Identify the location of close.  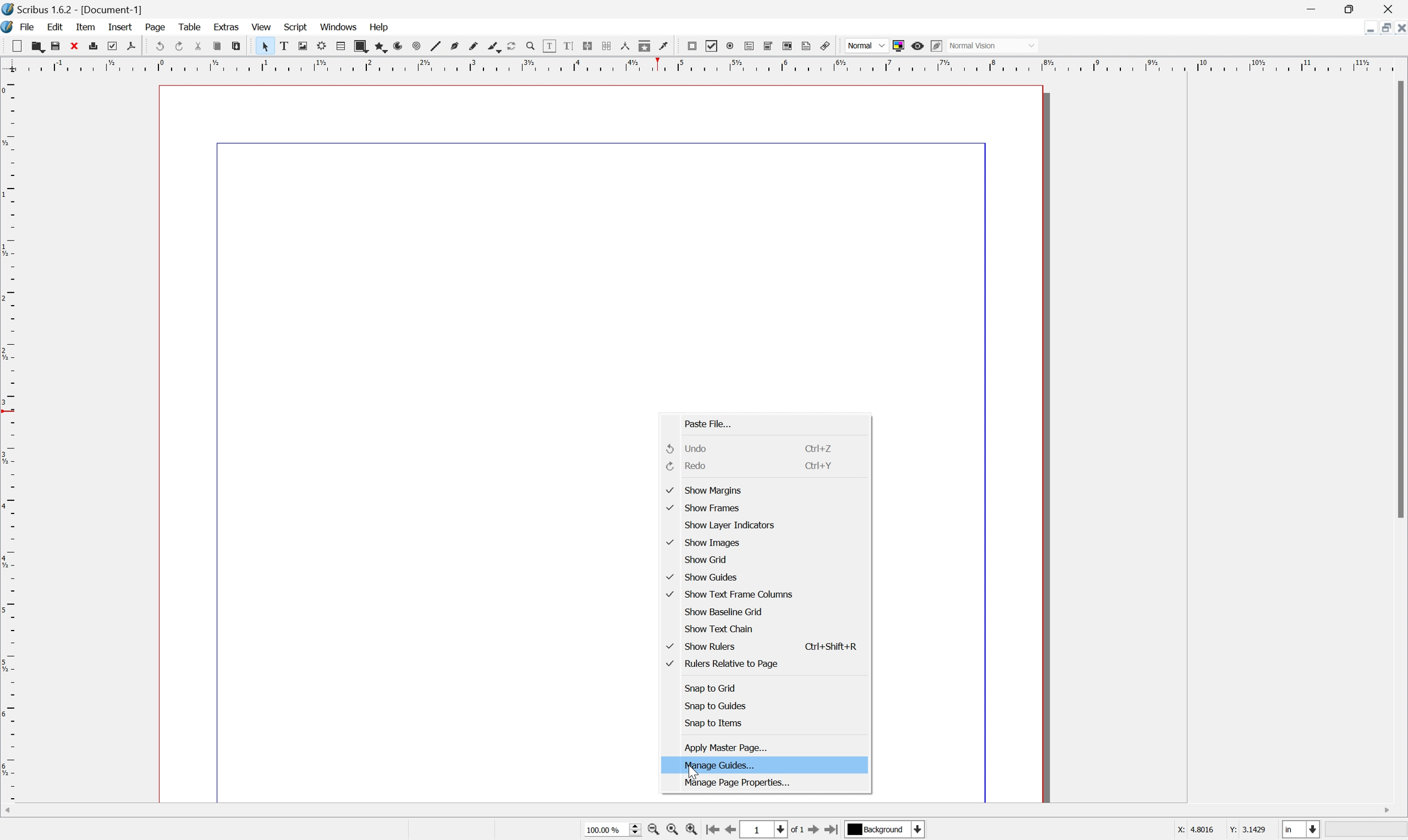
(1395, 7).